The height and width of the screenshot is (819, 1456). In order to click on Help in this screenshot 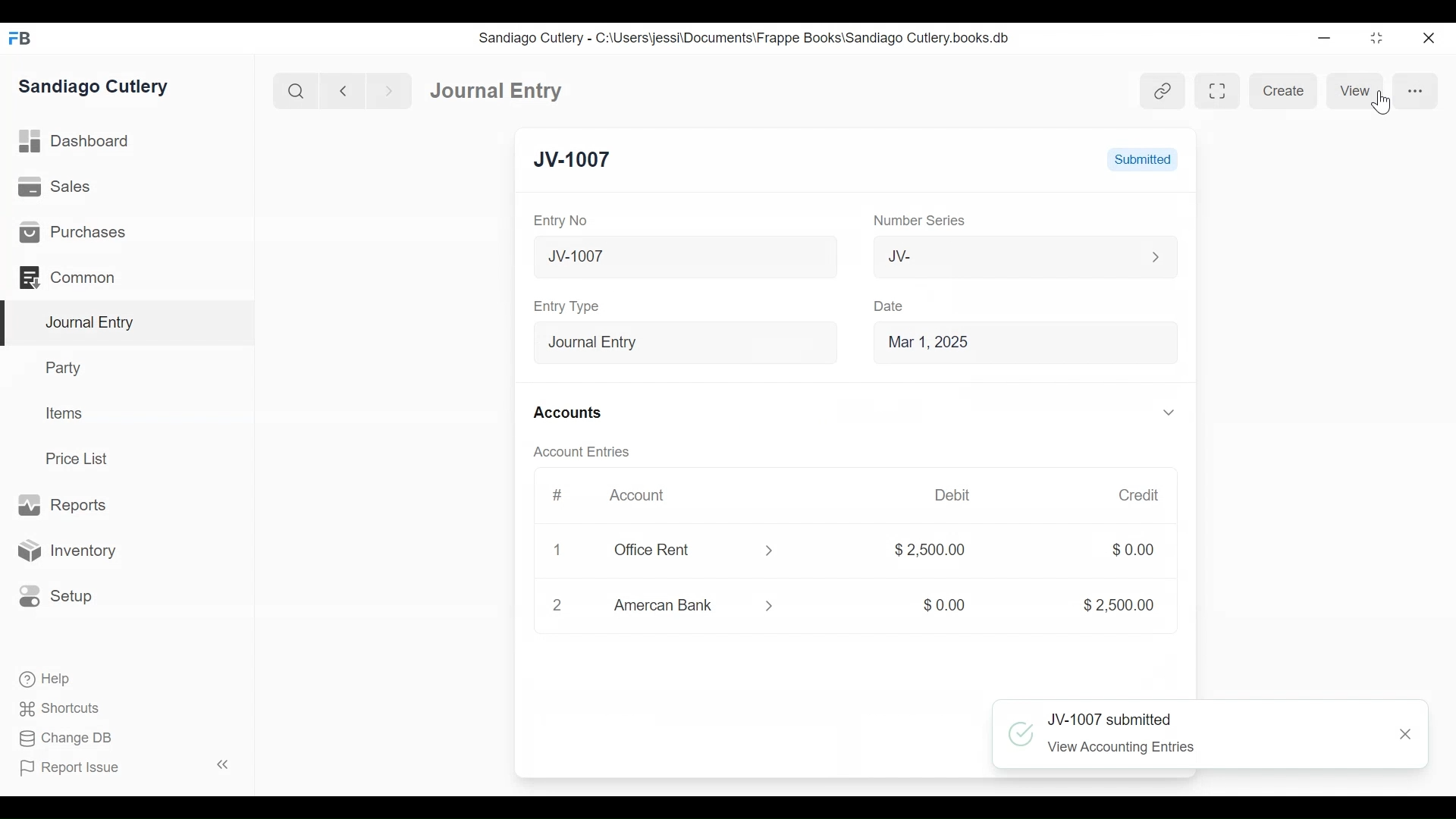, I will do `click(38, 680)`.